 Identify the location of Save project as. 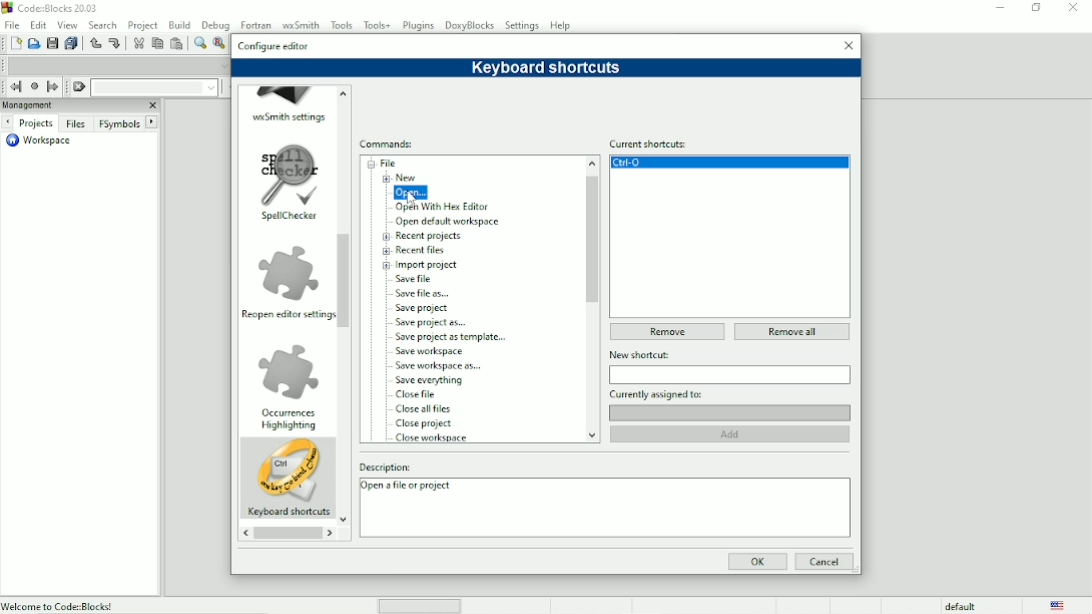
(434, 323).